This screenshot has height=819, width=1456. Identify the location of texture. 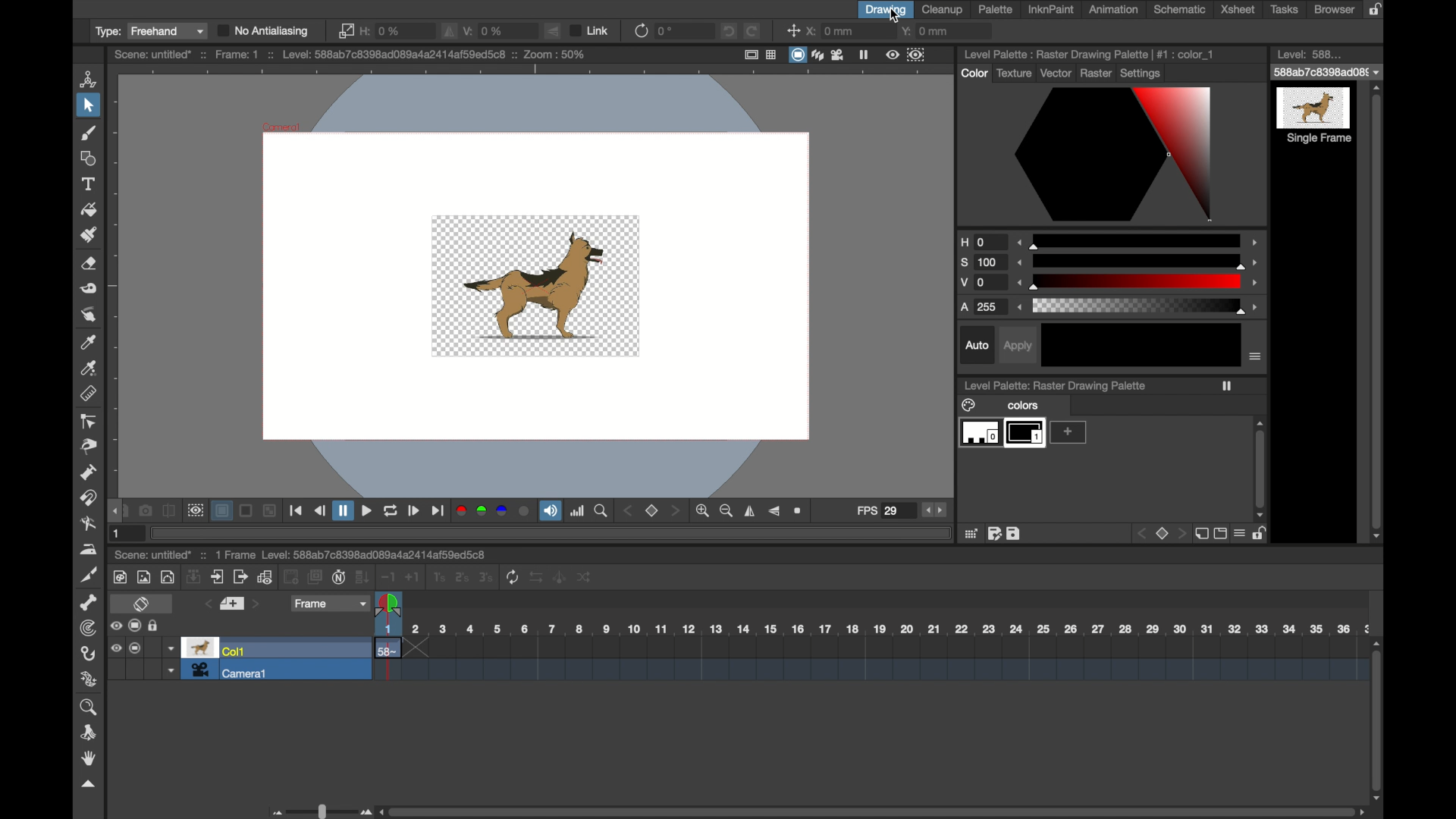
(1013, 73).